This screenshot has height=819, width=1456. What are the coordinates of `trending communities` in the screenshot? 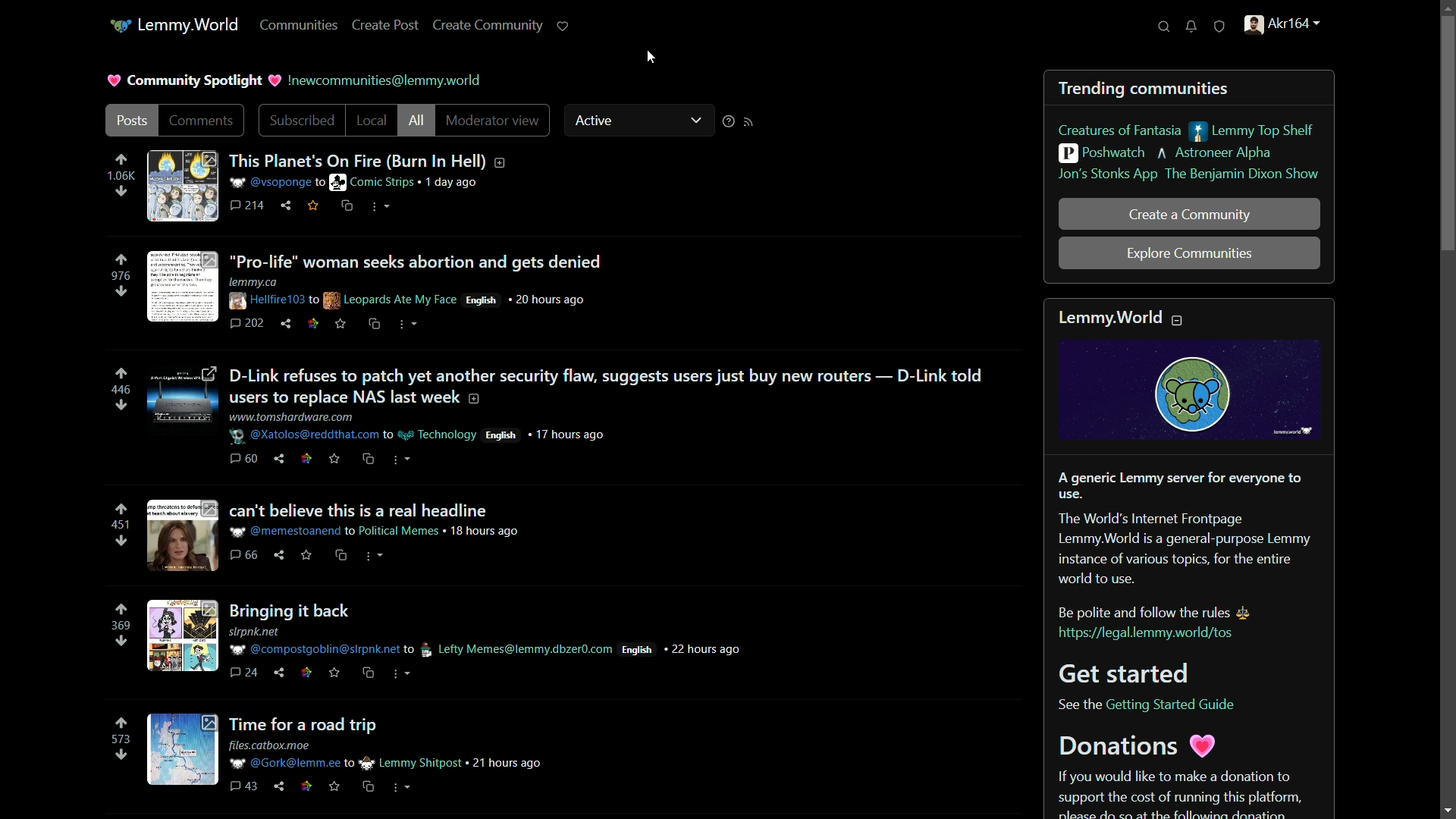 It's located at (1145, 88).